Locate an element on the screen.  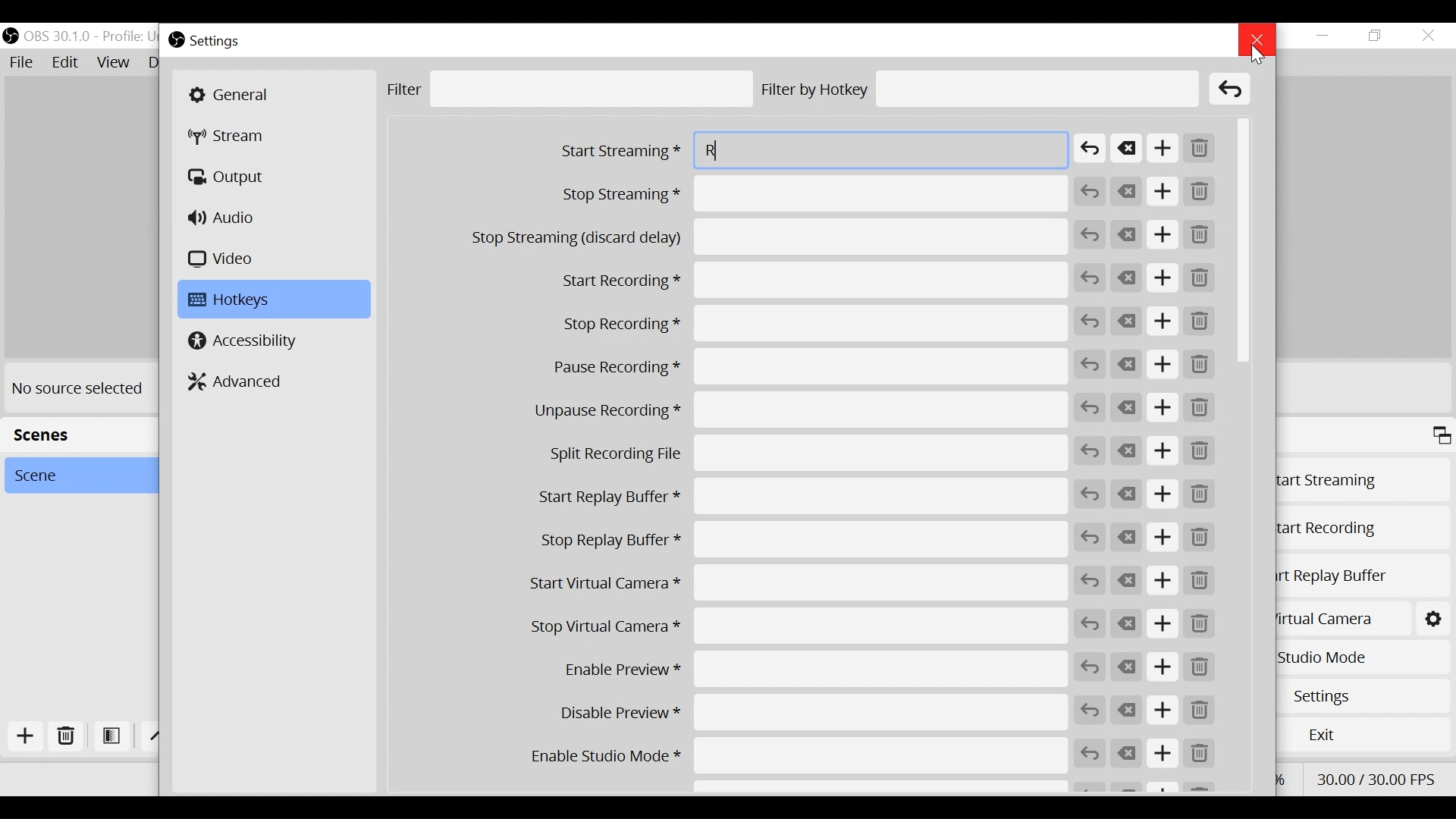
Advanced is located at coordinates (242, 380).